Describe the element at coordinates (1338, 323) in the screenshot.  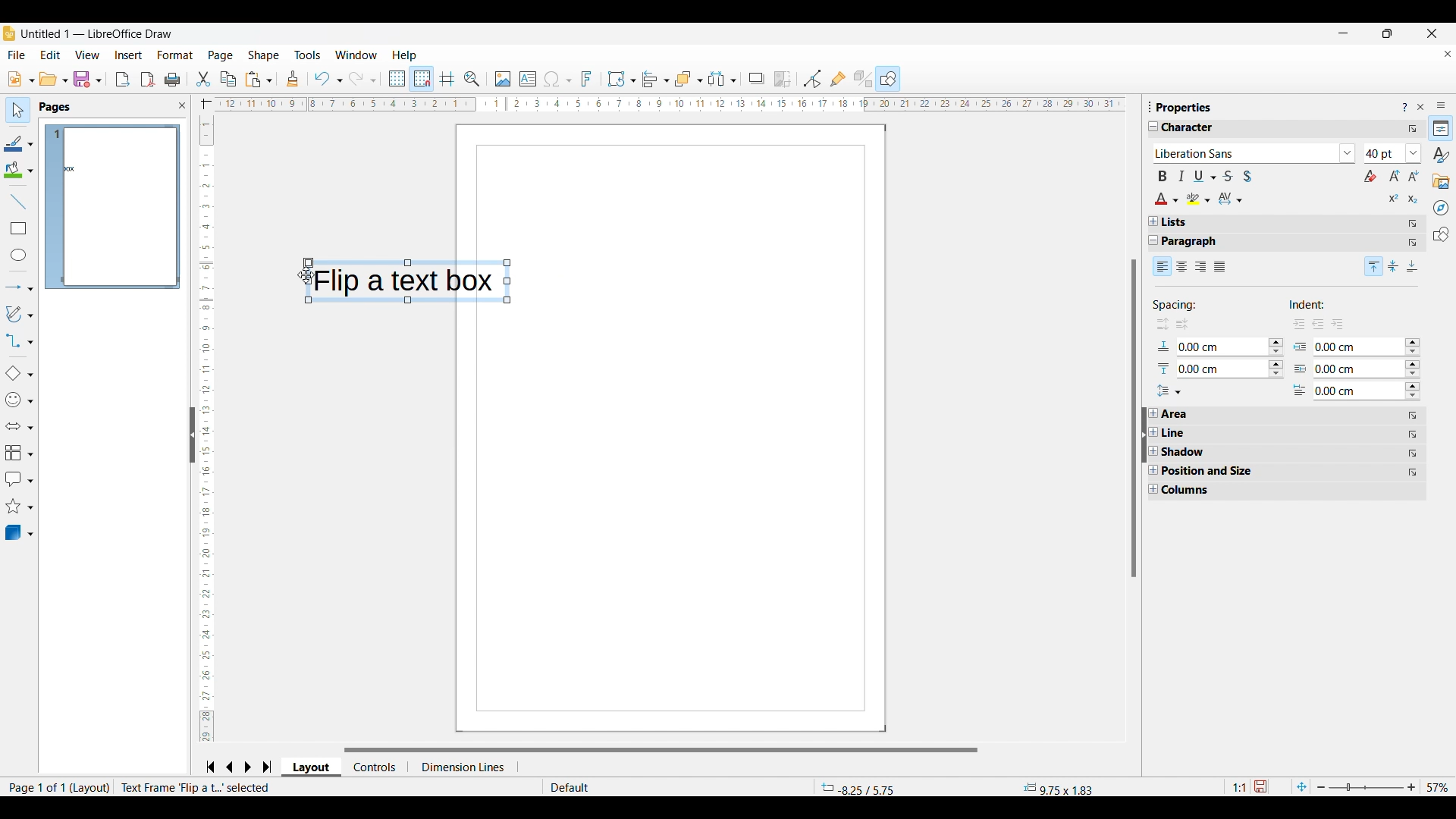
I see `sub indent` at that location.